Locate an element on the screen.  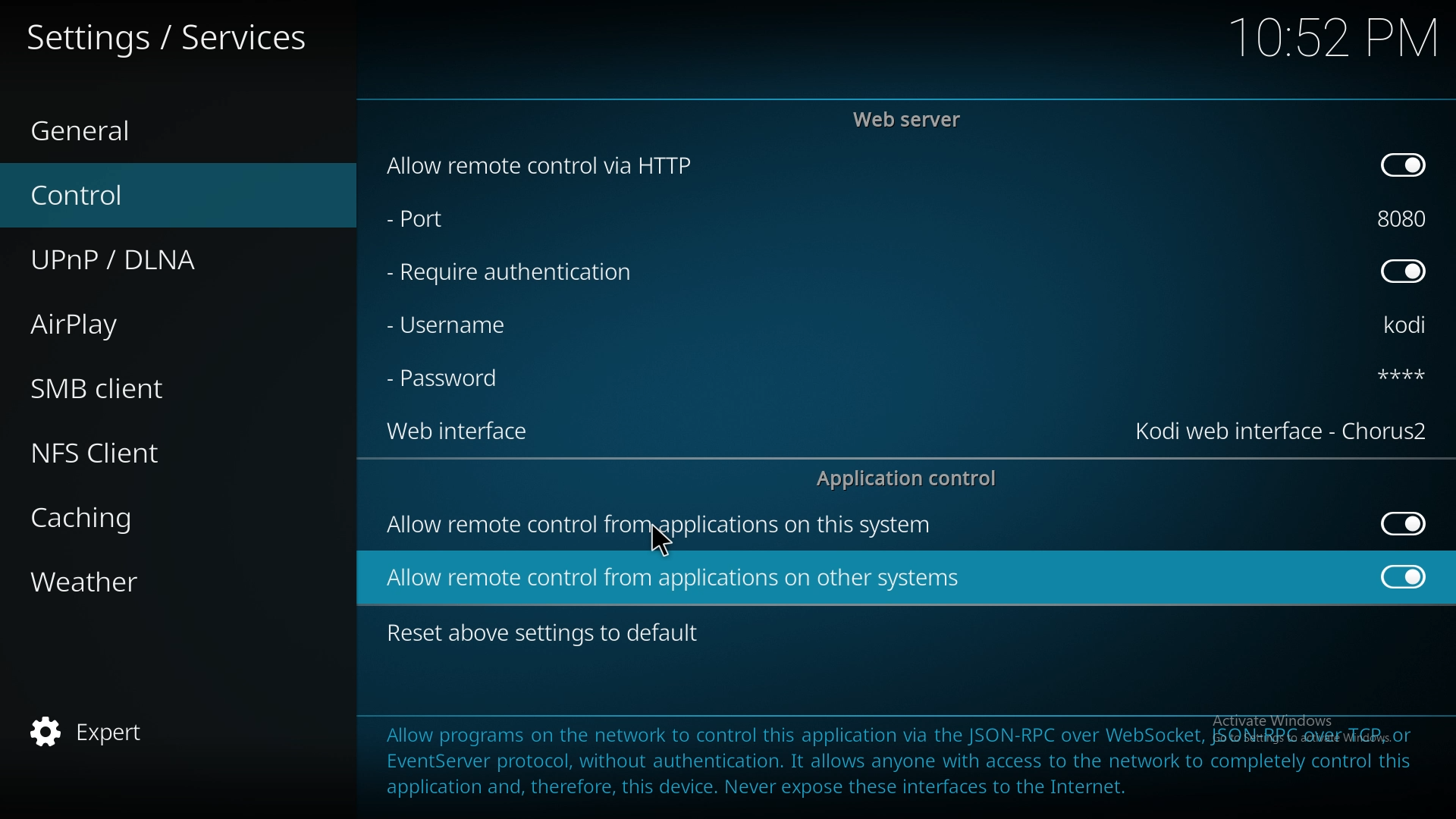
nfs client is located at coordinates (159, 451).